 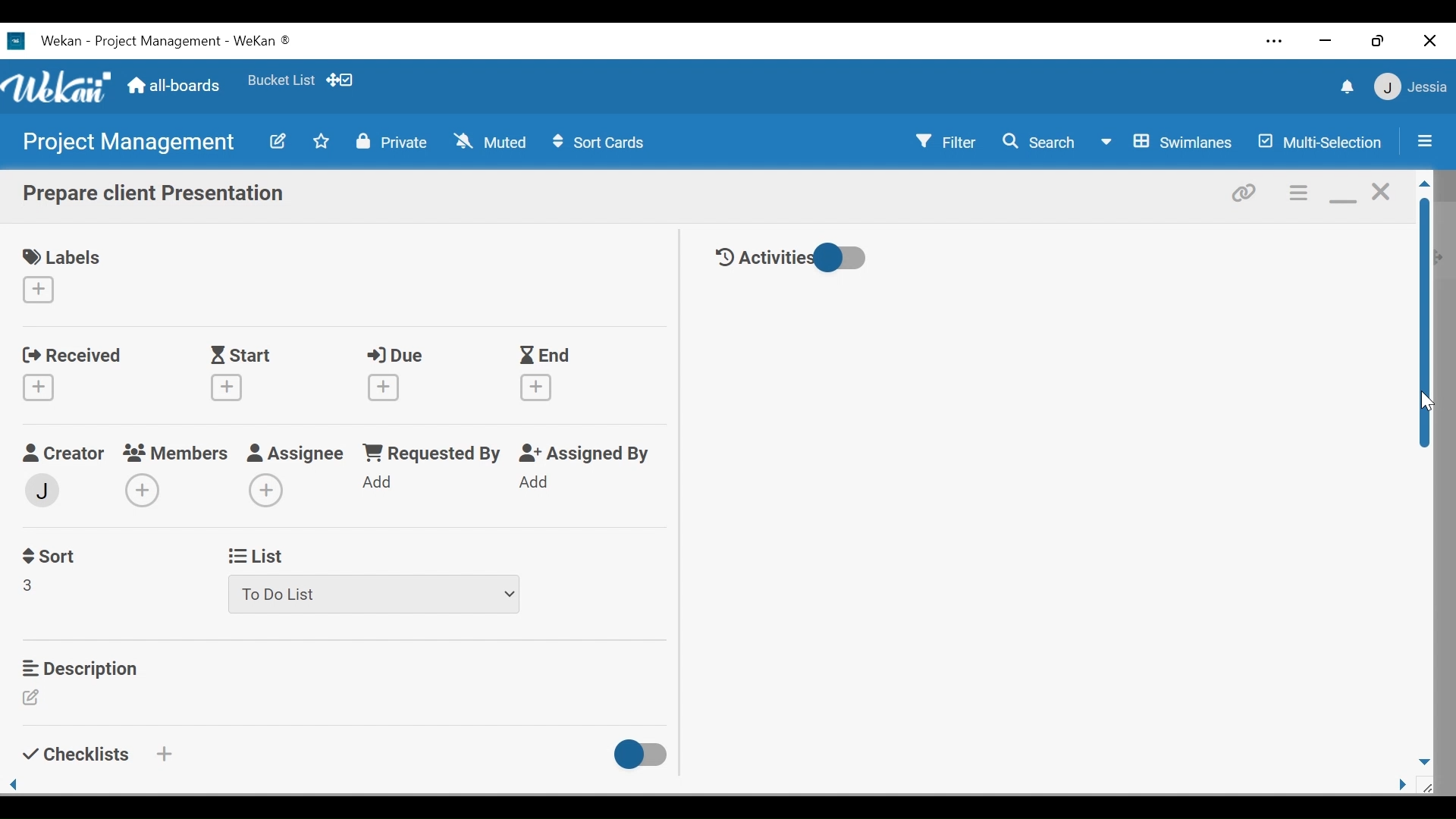 What do you see at coordinates (51, 556) in the screenshot?
I see `Sort` at bounding box center [51, 556].